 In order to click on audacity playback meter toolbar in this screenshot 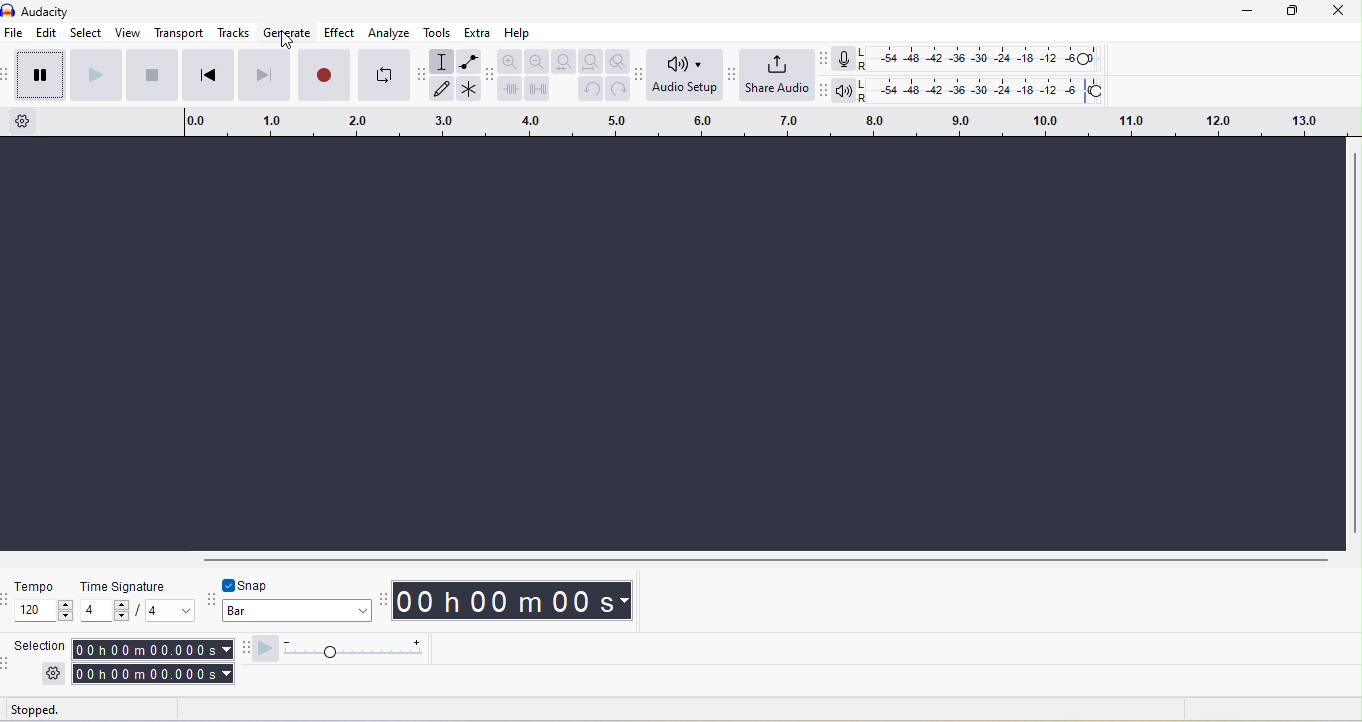, I will do `click(824, 88)`.